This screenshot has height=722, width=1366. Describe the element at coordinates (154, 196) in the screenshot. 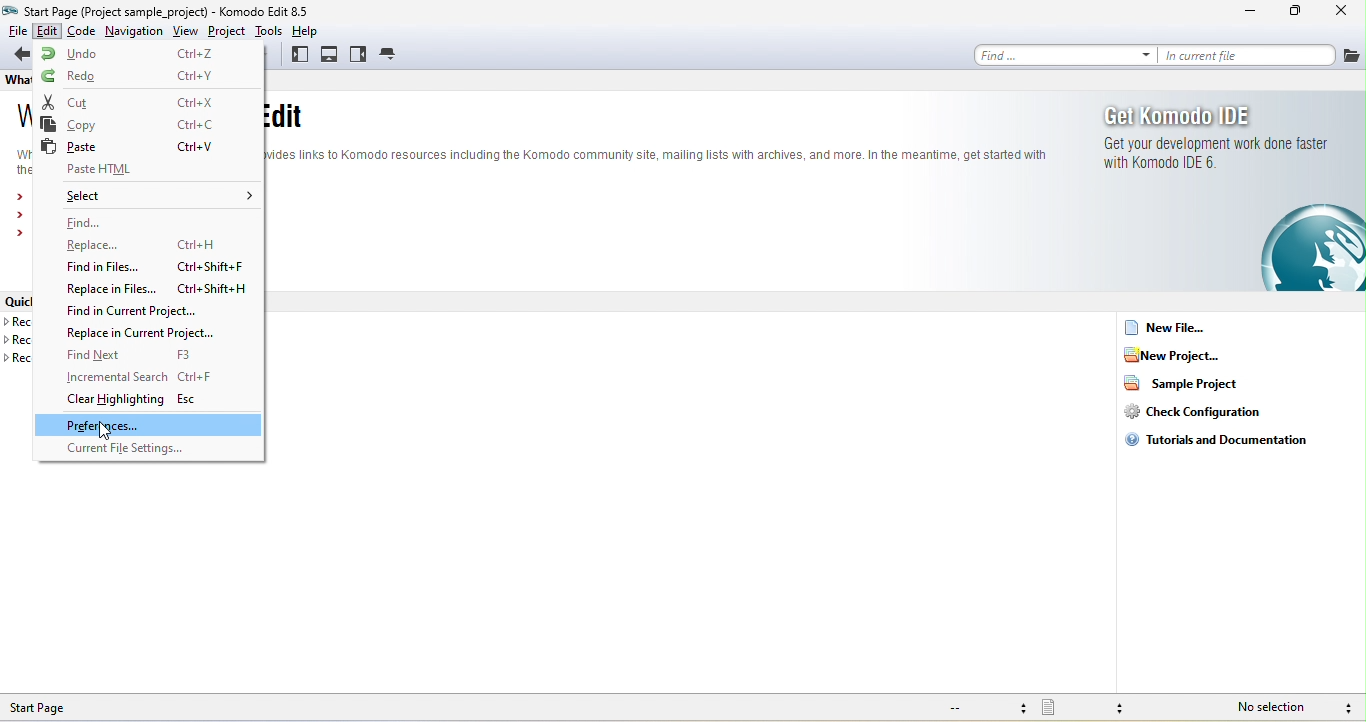

I see `select` at that location.